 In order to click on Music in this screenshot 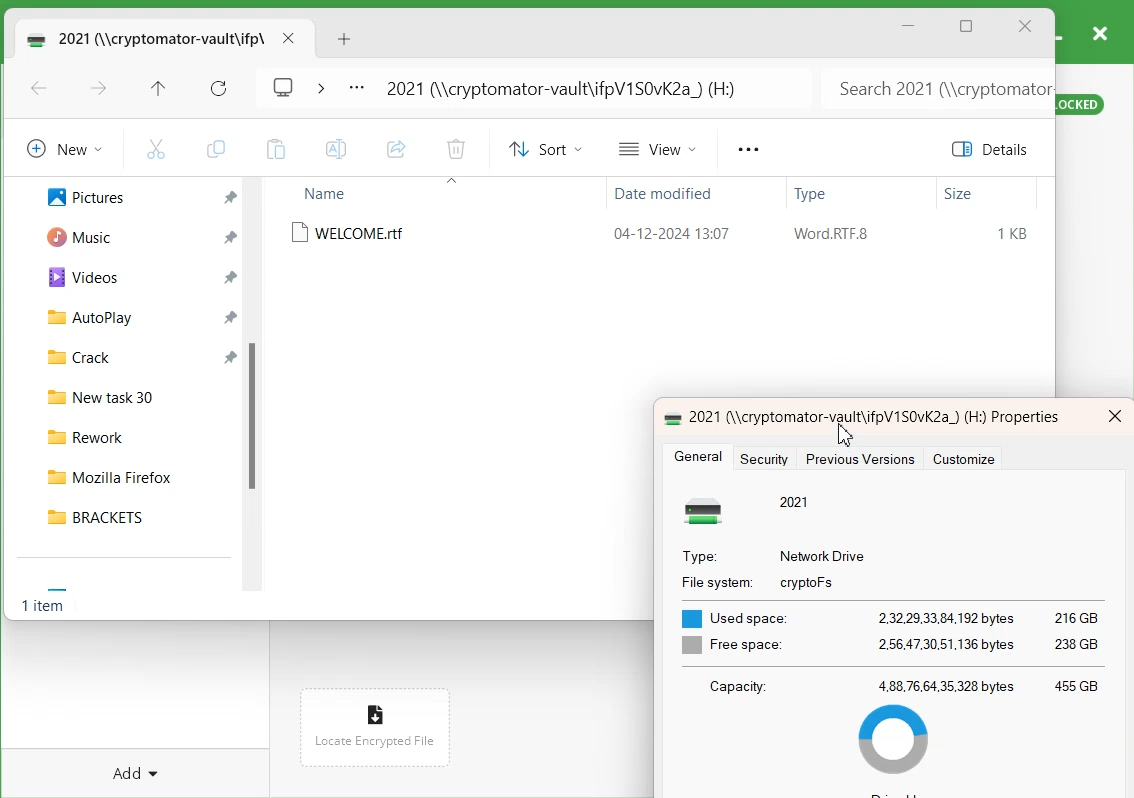, I will do `click(72, 235)`.